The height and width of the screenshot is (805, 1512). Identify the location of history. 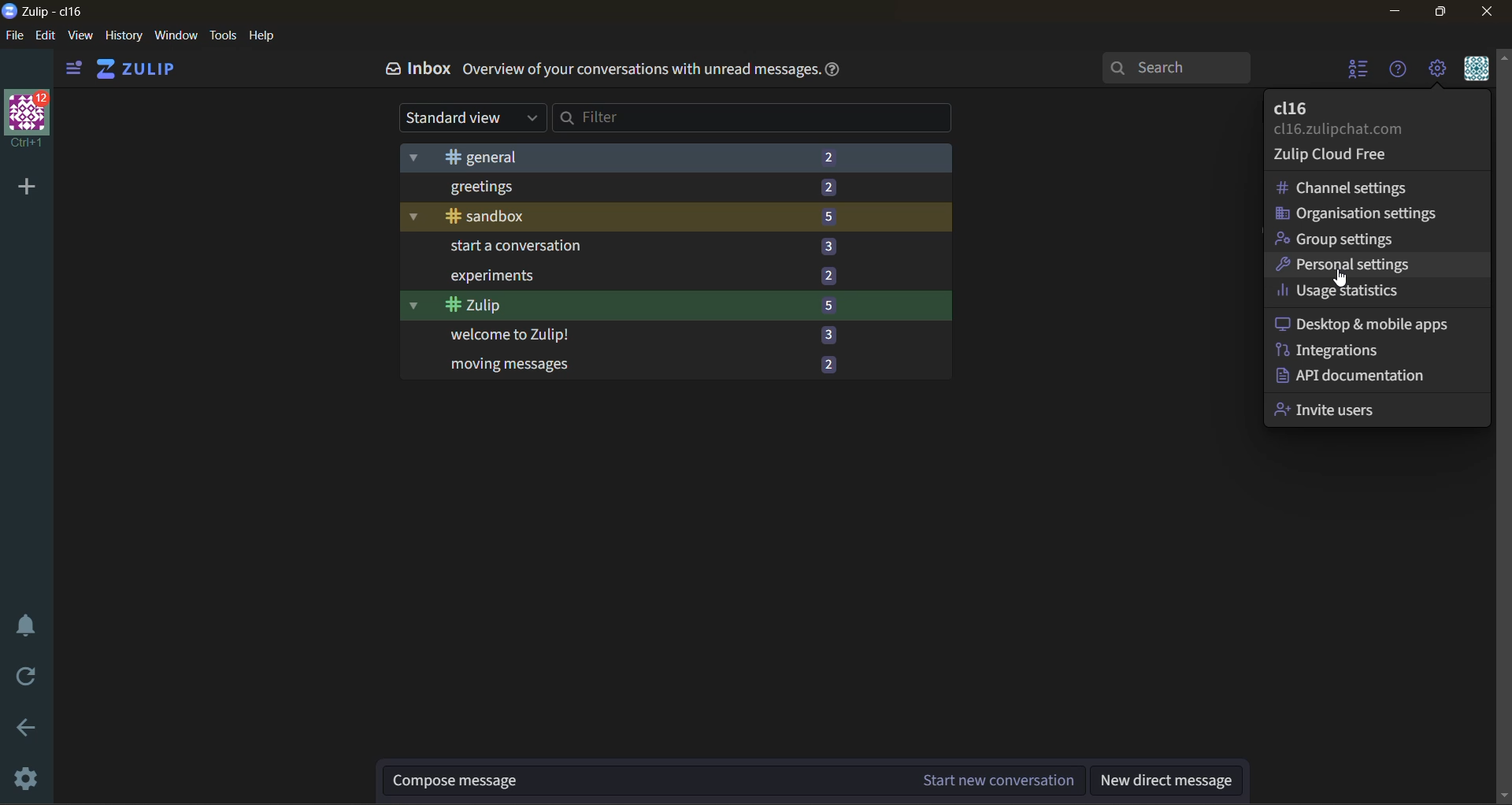
(123, 39).